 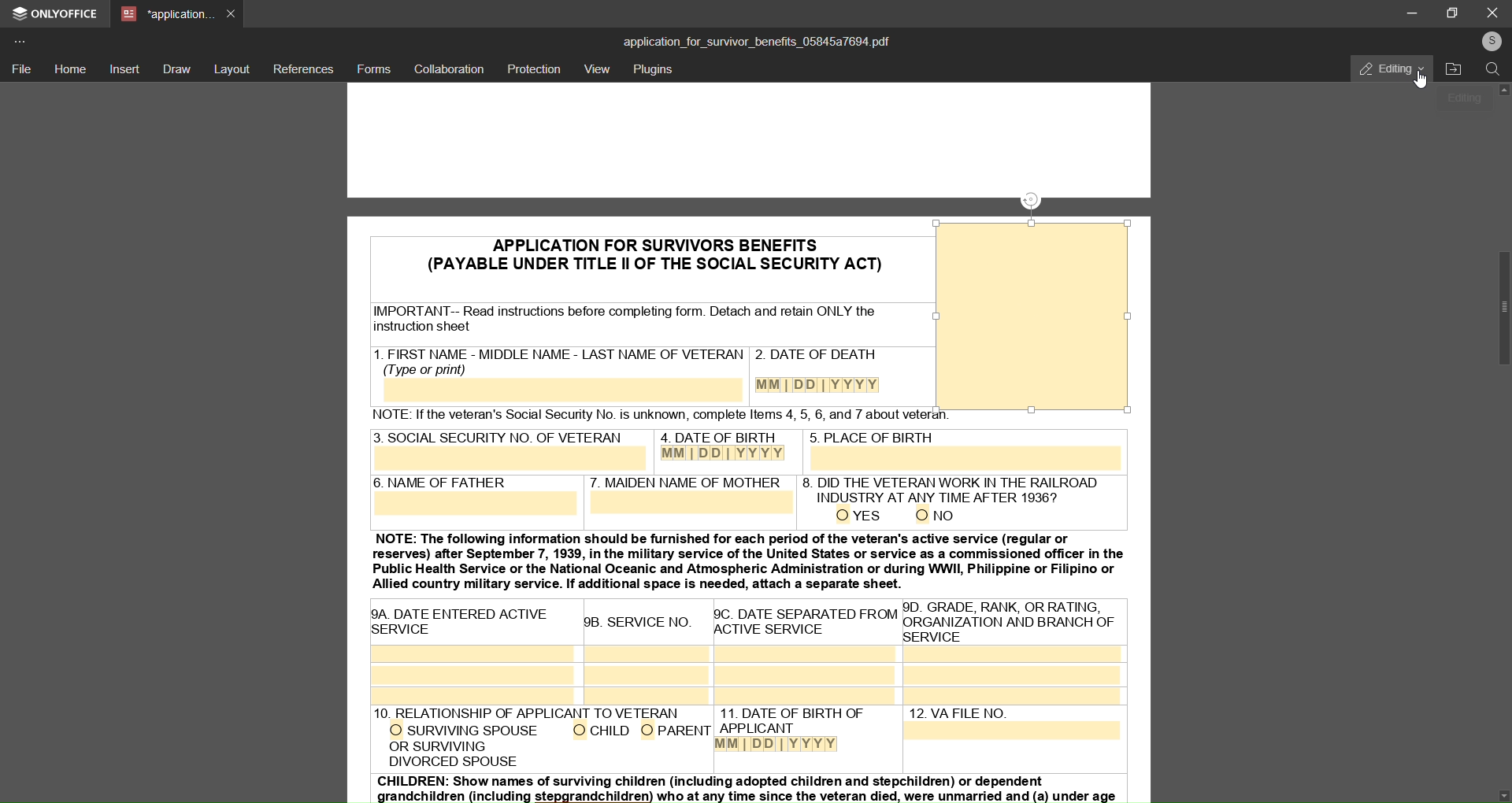 What do you see at coordinates (1033, 150) in the screenshot?
I see `PDF of application for survivors benefits` at bounding box center [1033, 150].